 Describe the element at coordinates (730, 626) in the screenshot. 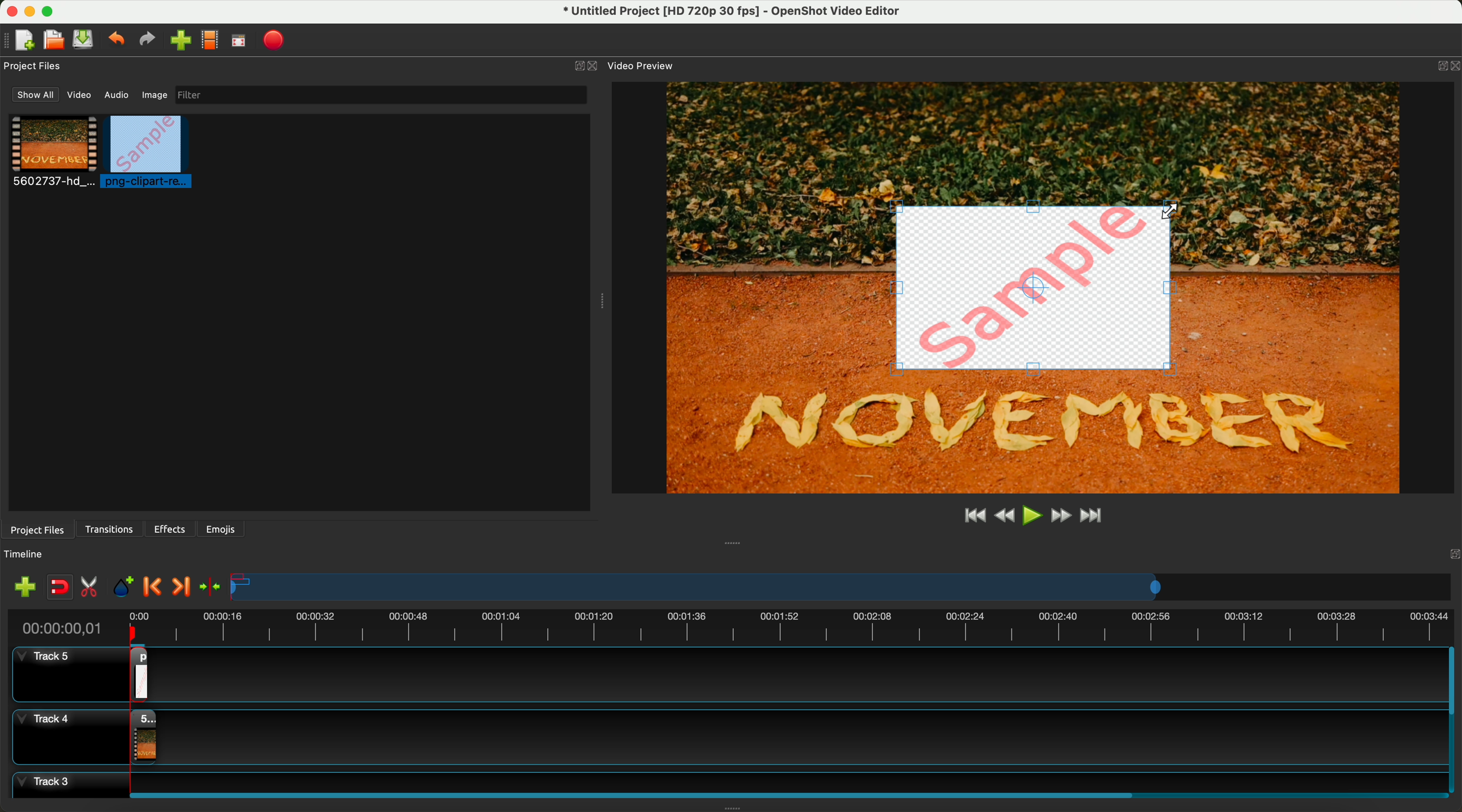

I see `timeline` at that location.